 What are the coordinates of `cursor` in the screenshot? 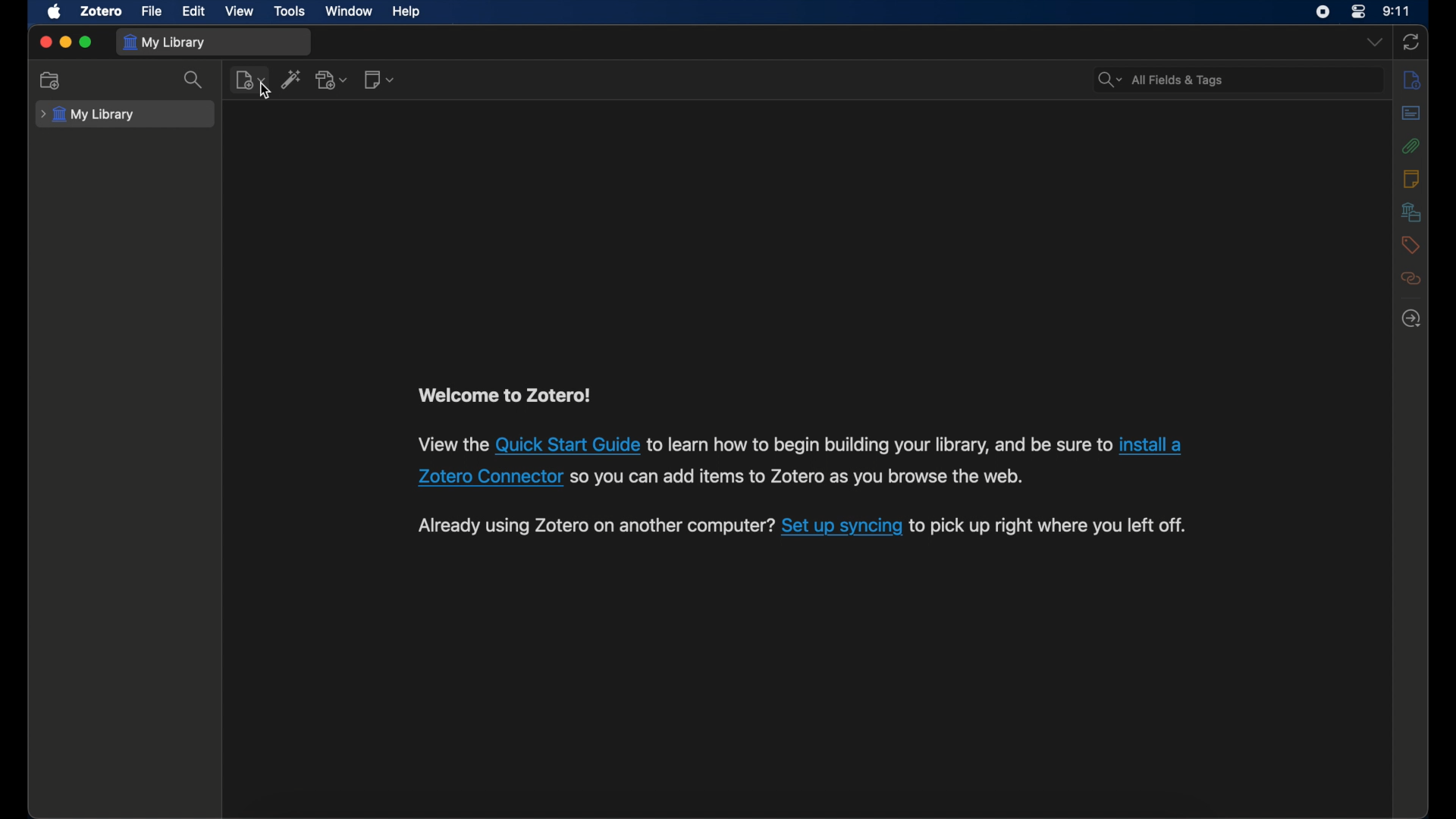 It's located at (265, 92).